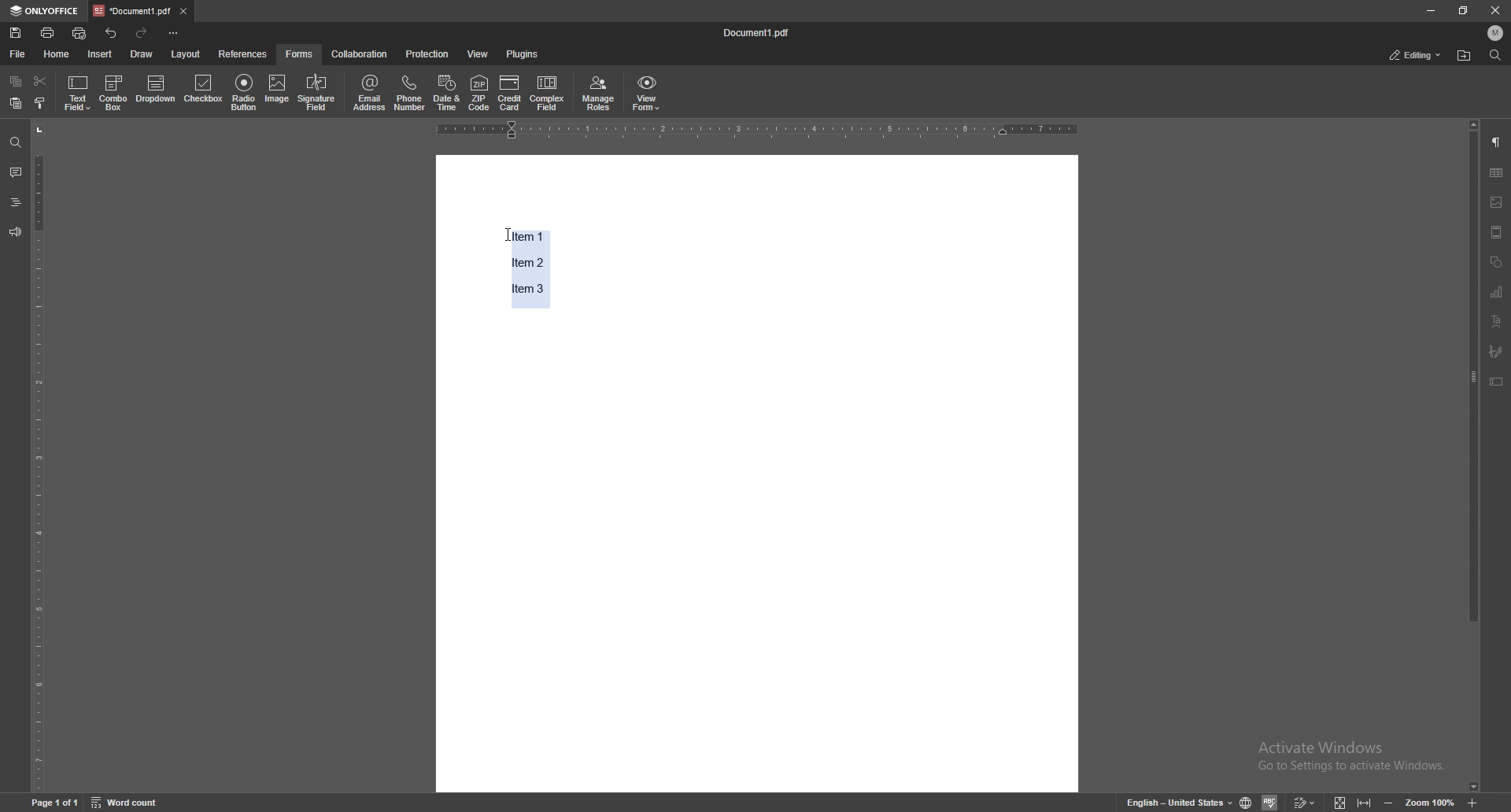 The image size is (1511, 812). What do you see at coordinates (40, 456) in the screenshot?
I see `vertical scale` at bounding box center [40, 456].